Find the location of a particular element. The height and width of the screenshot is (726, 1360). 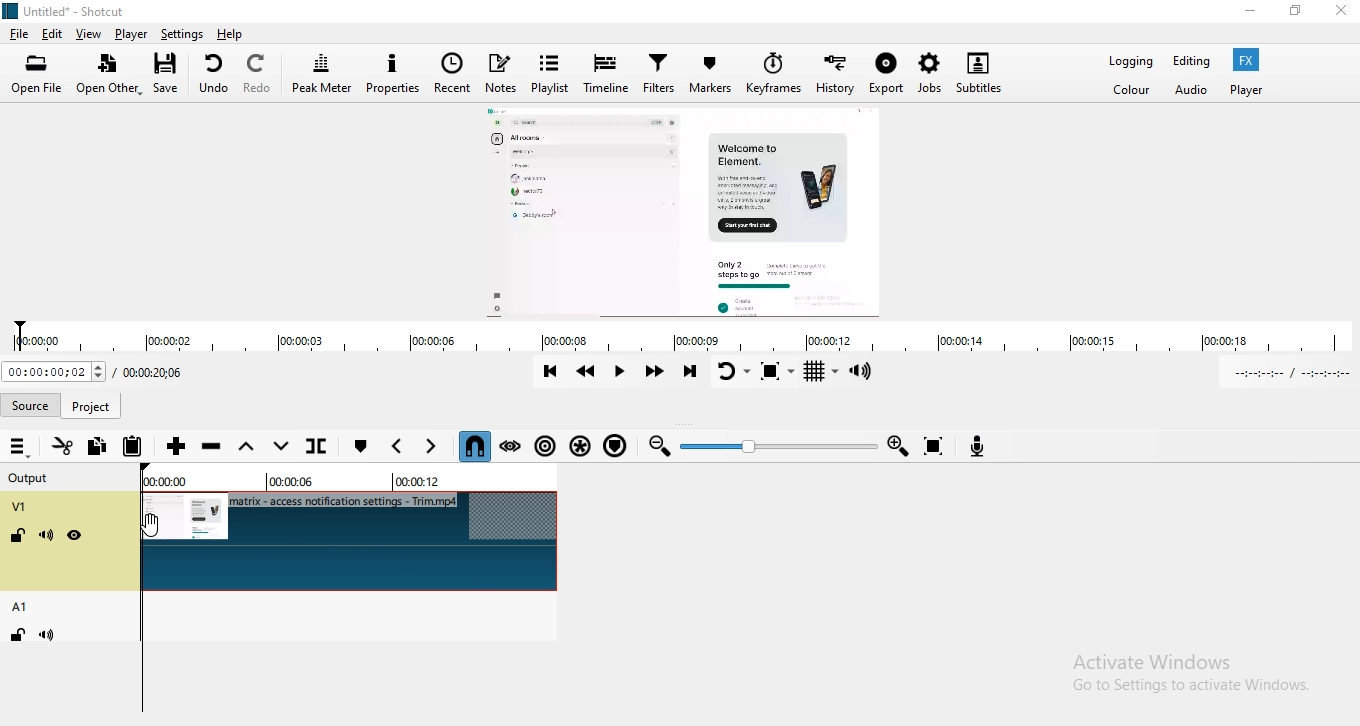

Zoom timeline to fit is located at coordinates (937, 446).